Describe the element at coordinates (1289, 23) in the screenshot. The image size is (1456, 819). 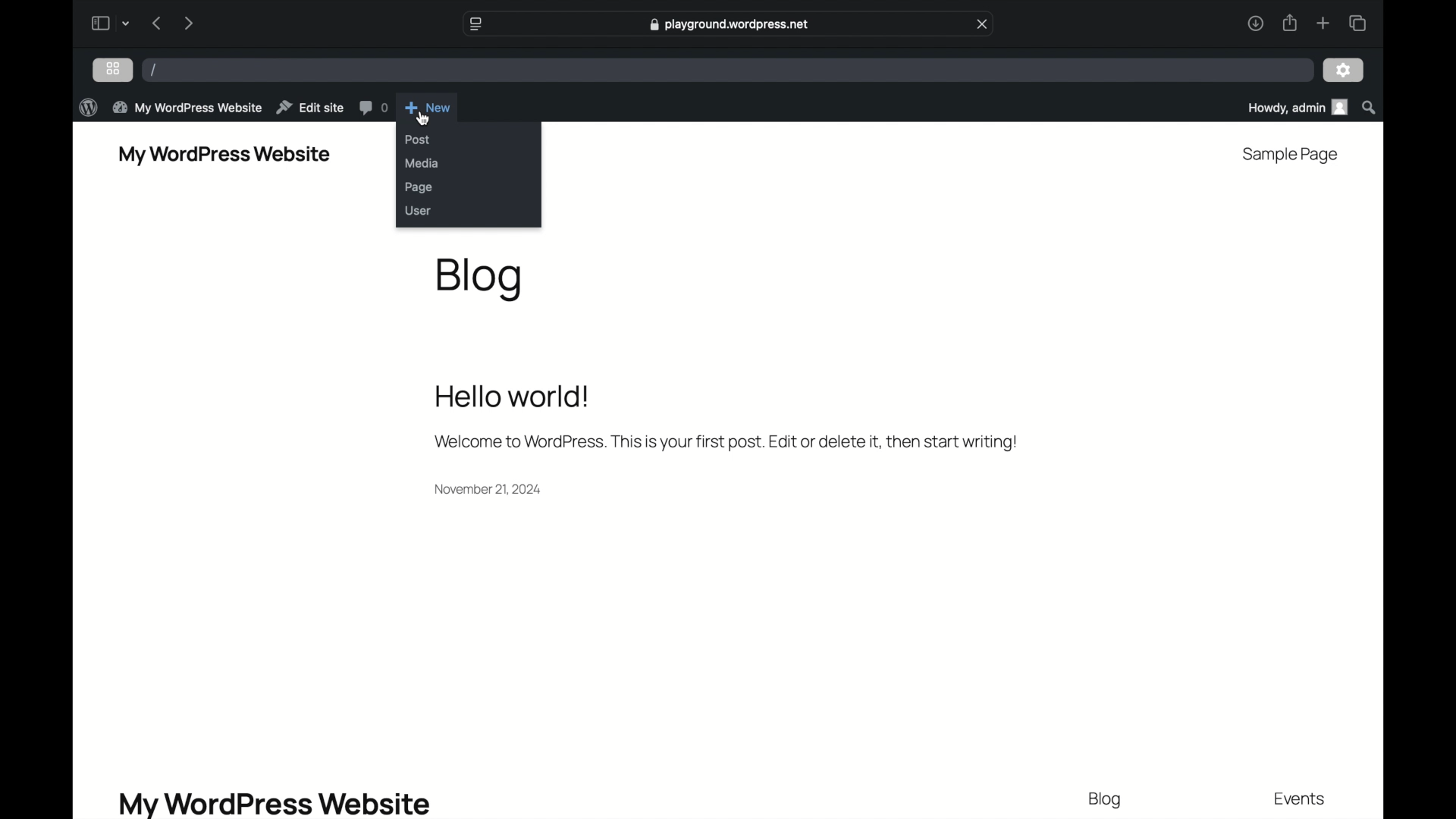
I see `share` at that location.